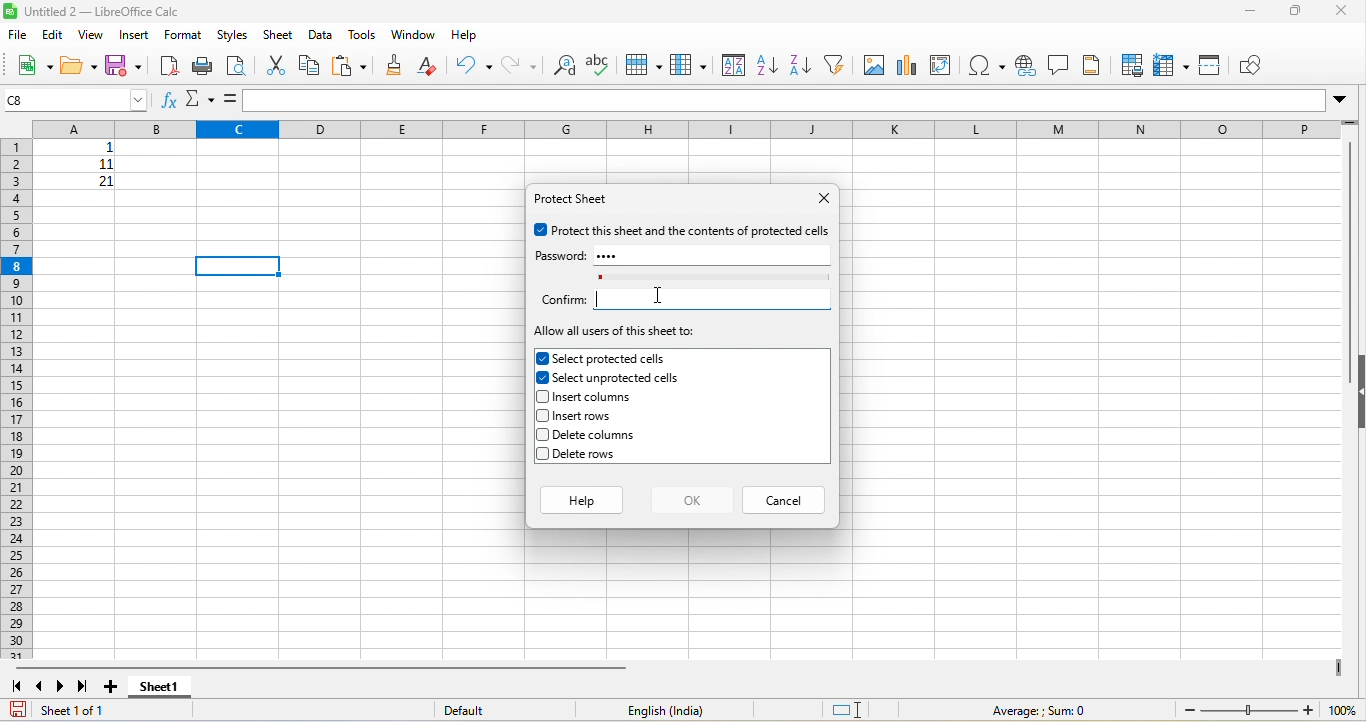 The image size is (1366, 722). What do you see at coordinates (676, 128) in the screenshot?
I see `column headings` at bounding box center [676, 128].